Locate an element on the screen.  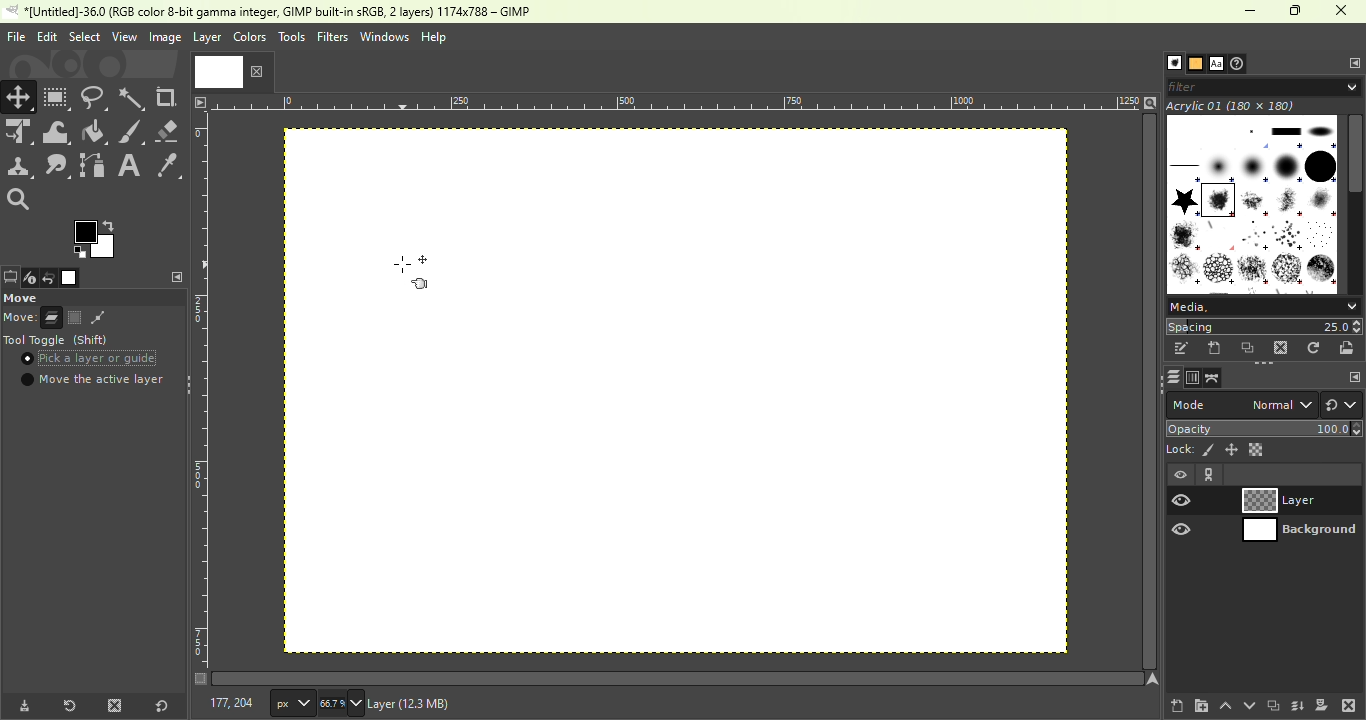
Document history is located at coordinates (1240, 63).